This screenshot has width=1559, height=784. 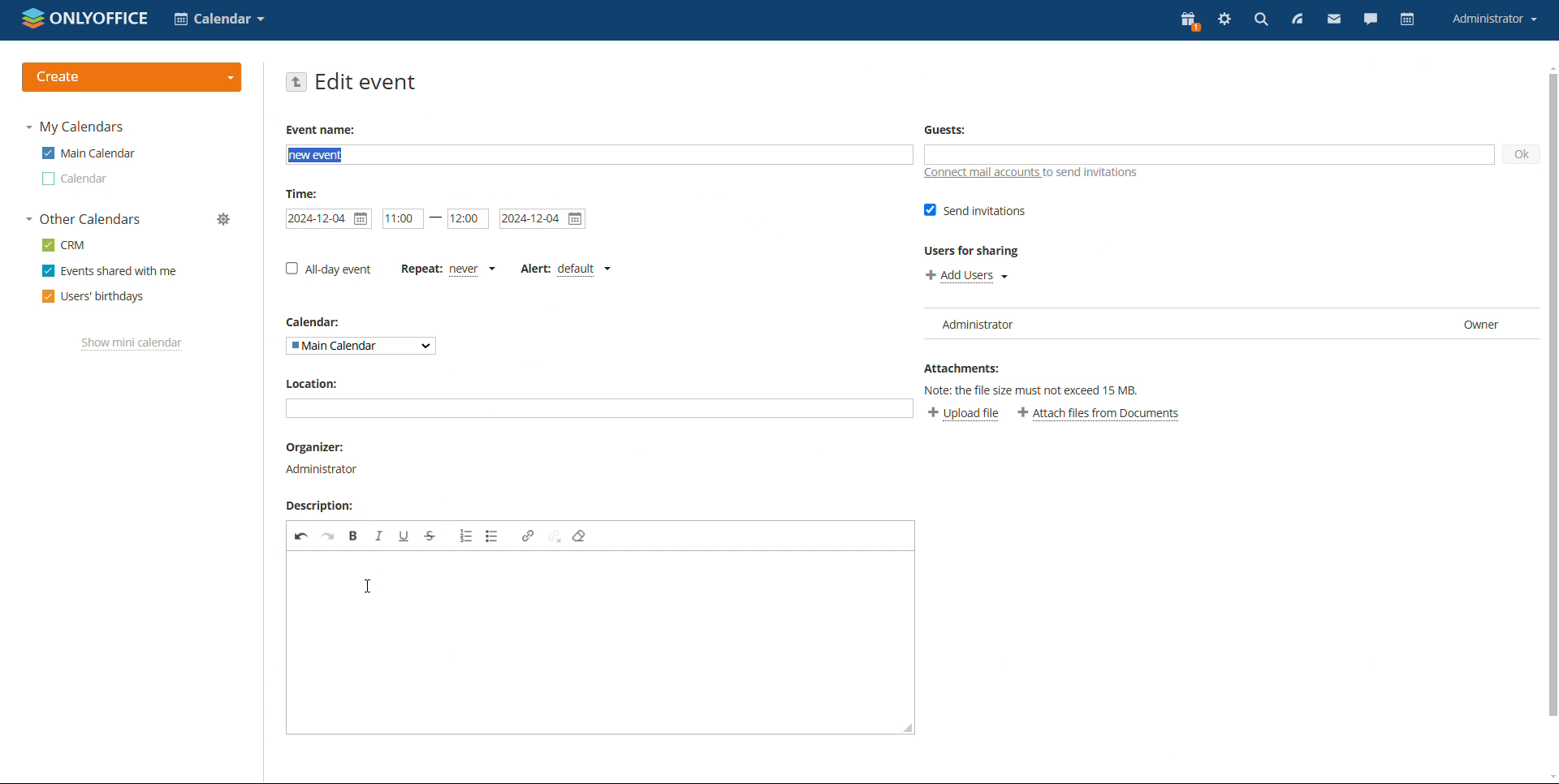 I want to click on connect mail accounts, so click(x=978, y=173).